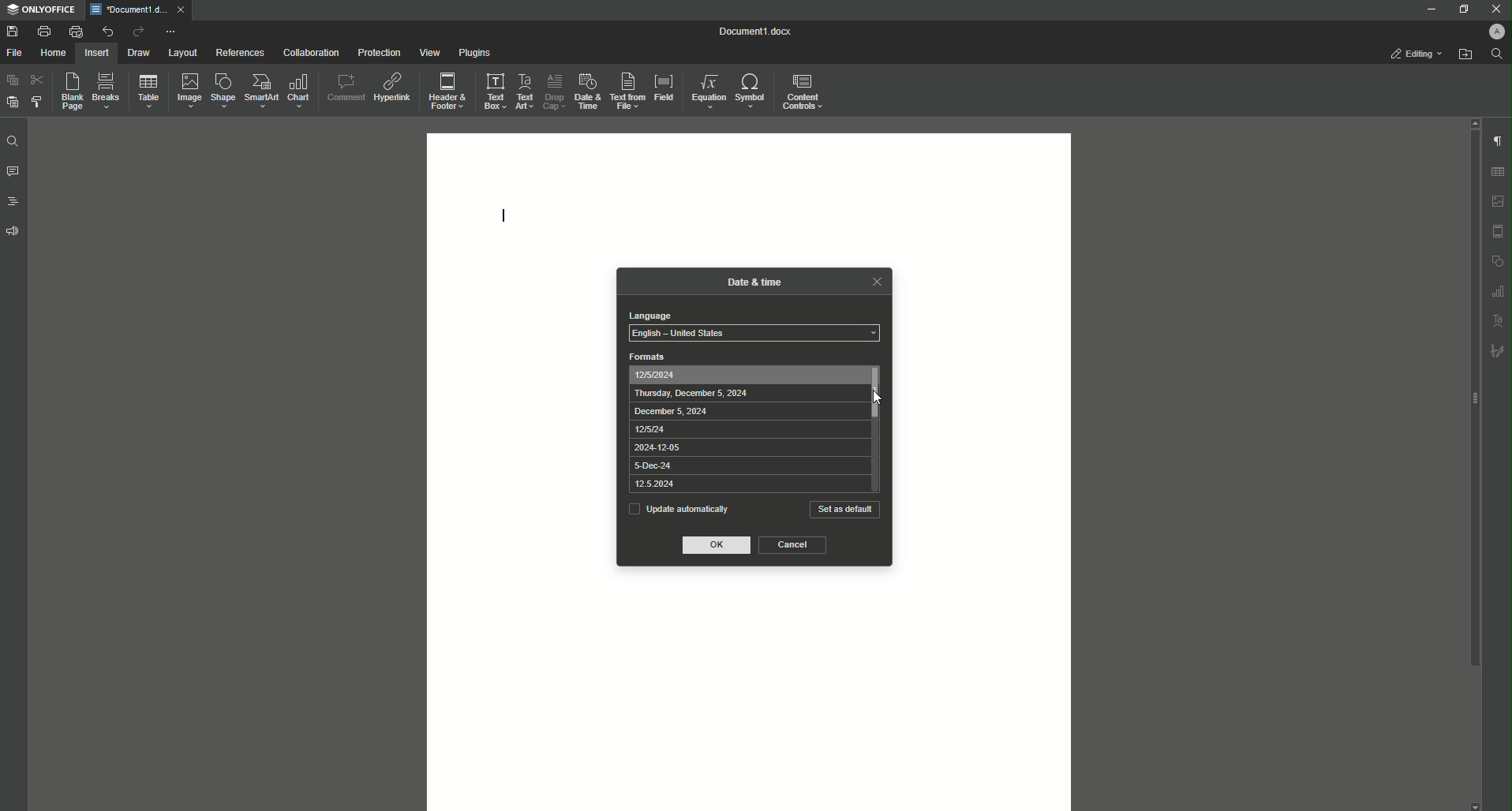 The height and width of the screenshot is (811, 1512). What do you see at coordinates (1499, 319) in the screenshot?
I see `text art settings` at bounding box center [1499, 319].